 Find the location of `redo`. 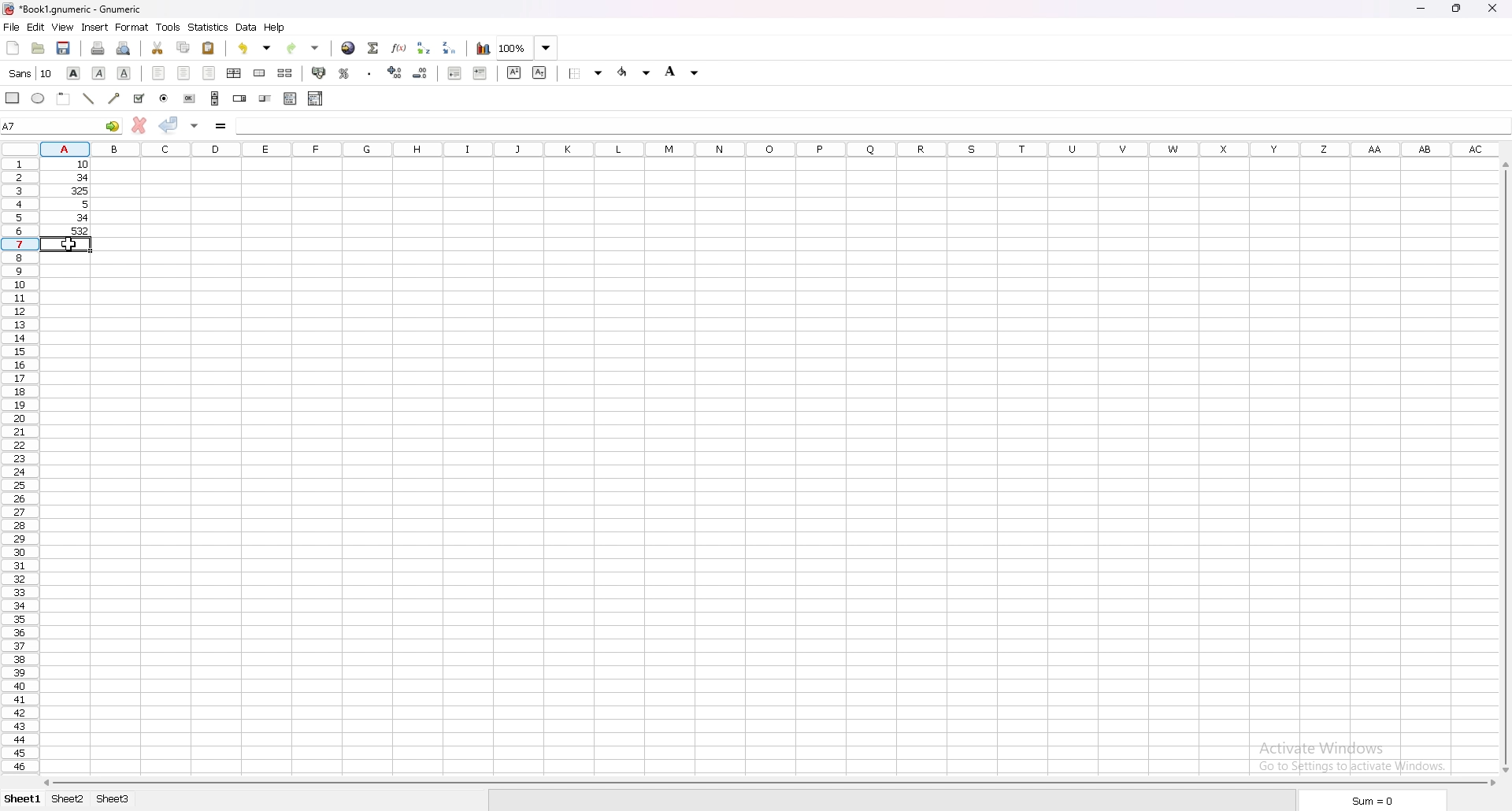

redo is located at coordinates (304, 48).